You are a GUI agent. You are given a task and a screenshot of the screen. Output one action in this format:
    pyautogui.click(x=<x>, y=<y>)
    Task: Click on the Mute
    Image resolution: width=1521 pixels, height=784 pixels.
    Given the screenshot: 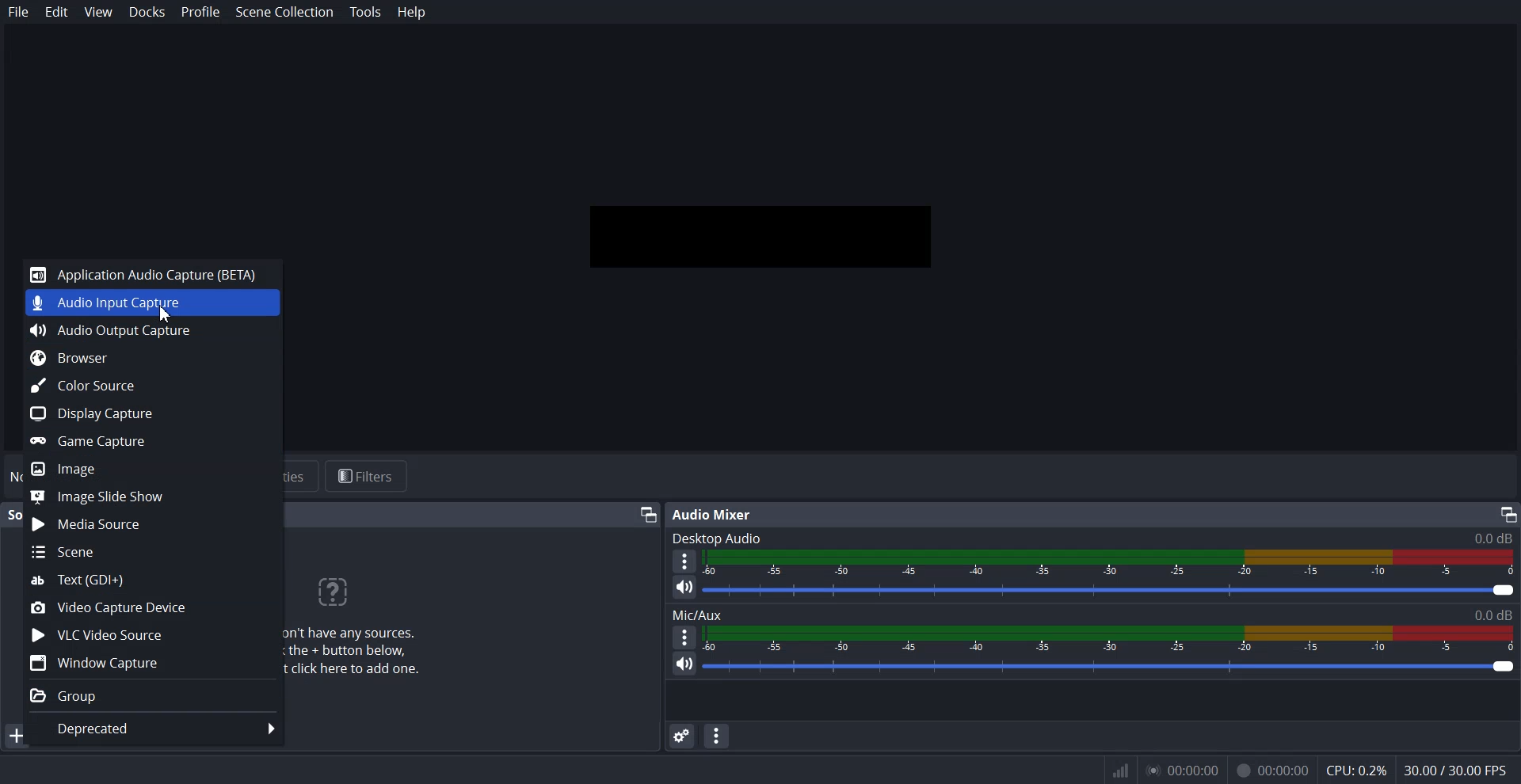 What is the action you would take?
    pyautogui.click(x=685, y=664)
    